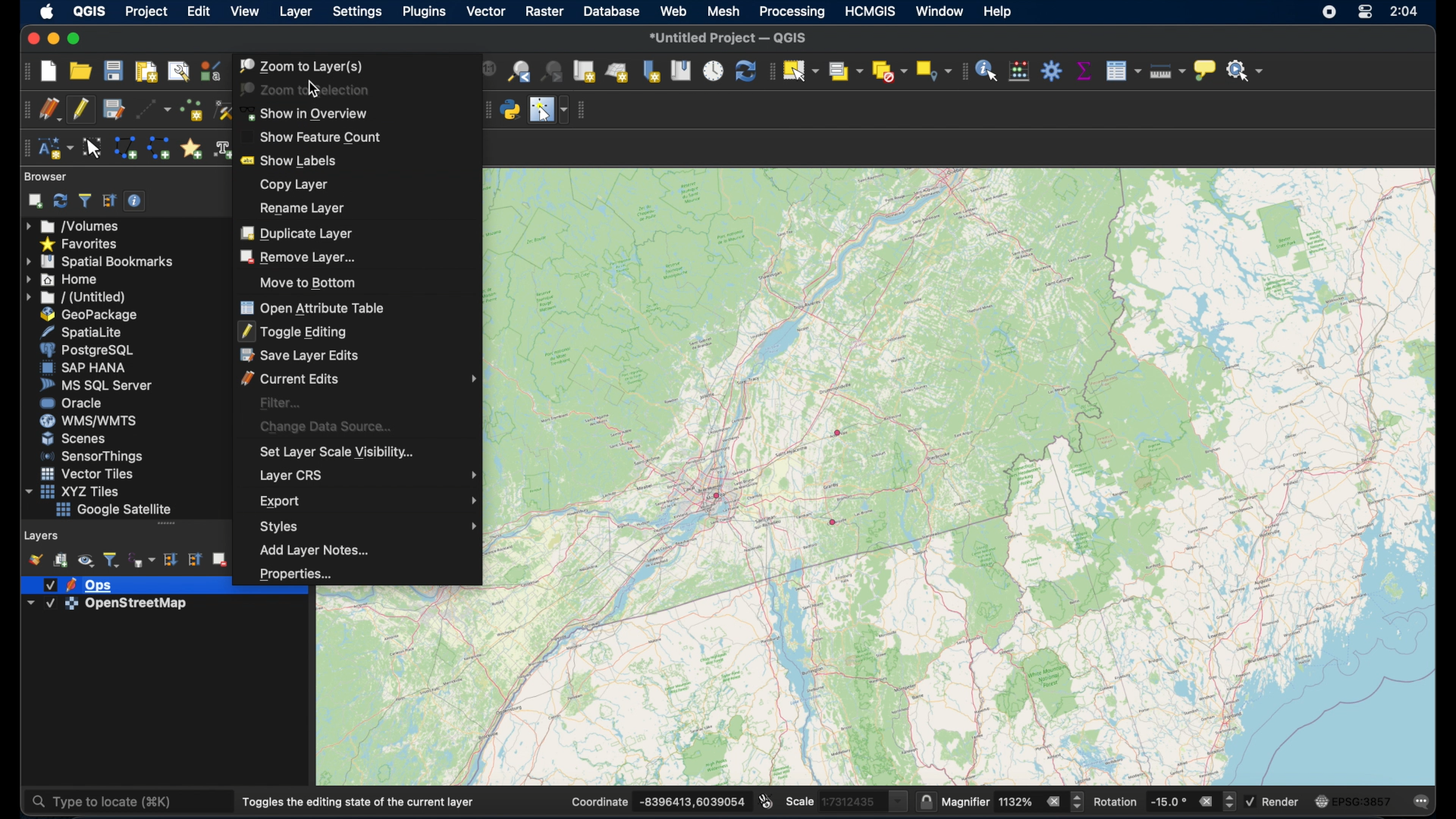  What do you see at coordinates (485, 71) in the screenshot?
I see `zoom to native resolution` at bounding box center [485, 71].